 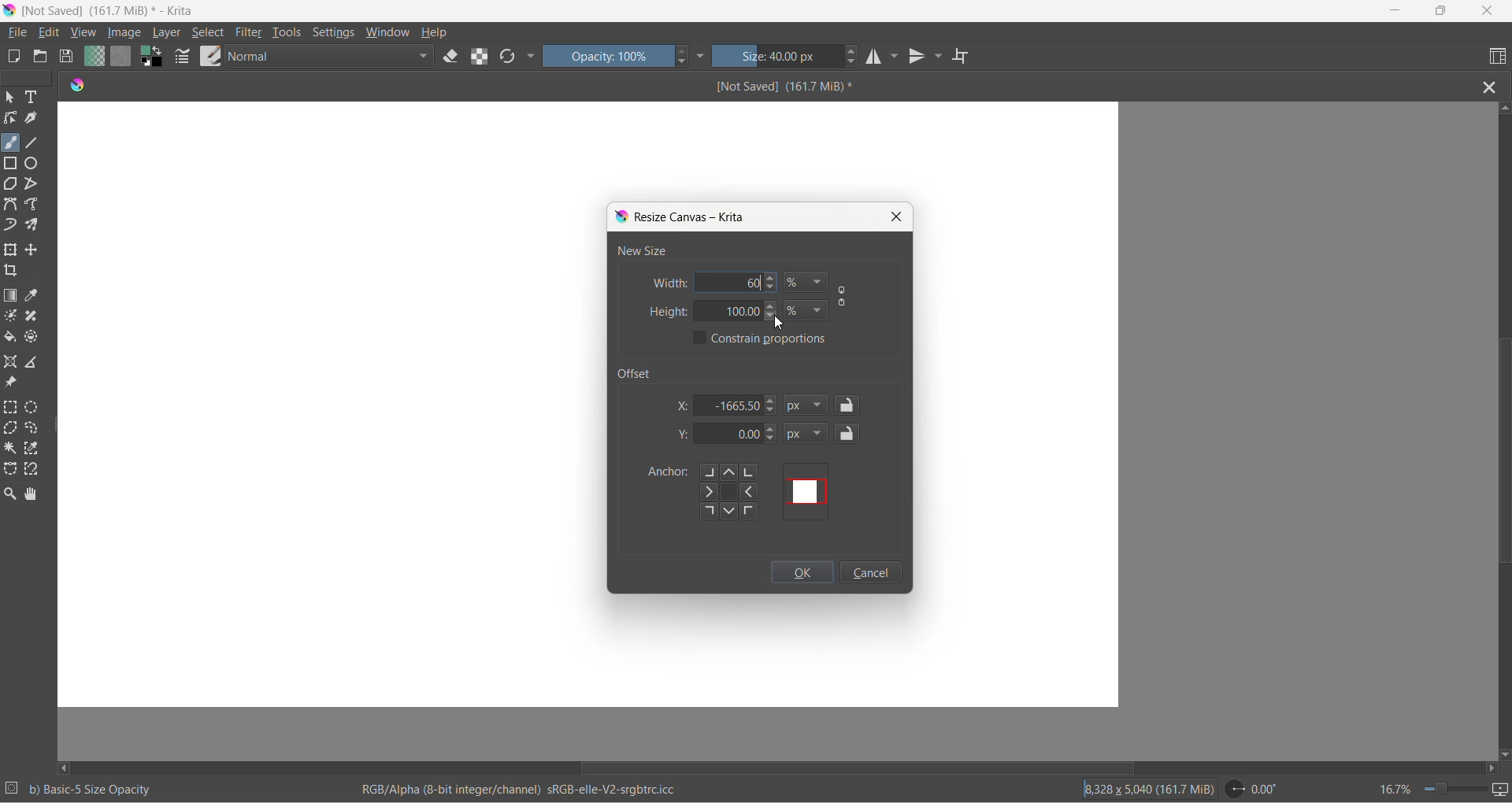 What do you see at coordinates (105, 12) in the screenshot?
I see `File name and size` at bounding box center [105, 12].